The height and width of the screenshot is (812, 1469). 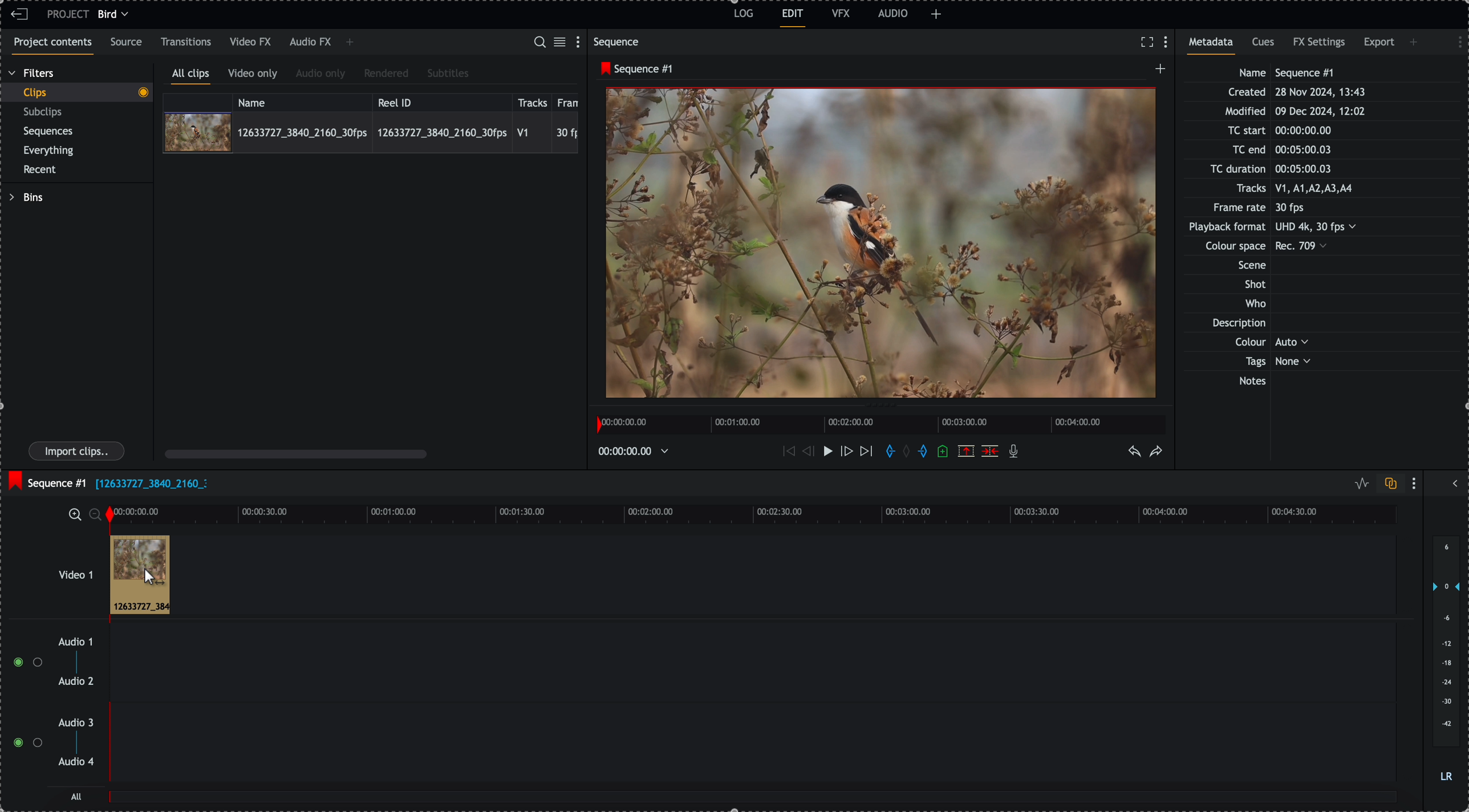 I want to click on delete/cut, so click(x=990, y=451).